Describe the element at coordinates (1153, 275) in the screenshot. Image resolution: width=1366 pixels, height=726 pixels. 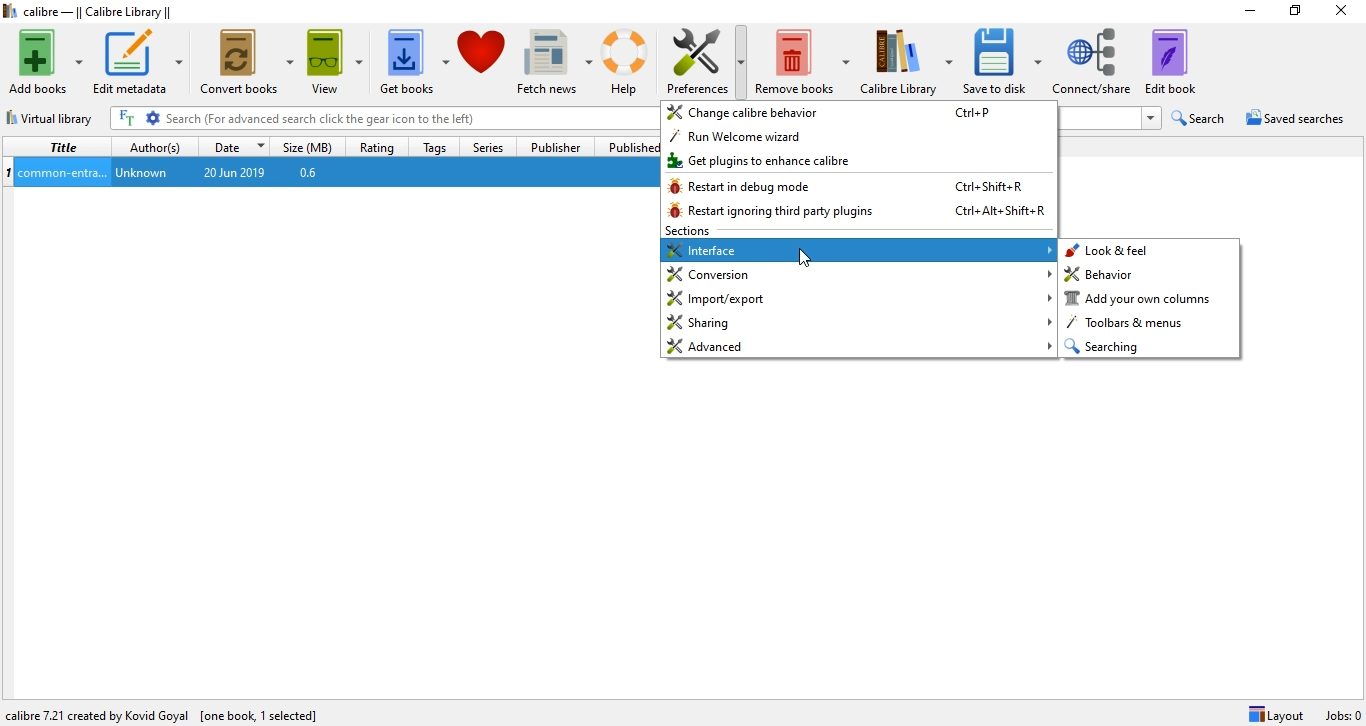
I see `behavior` at that location.